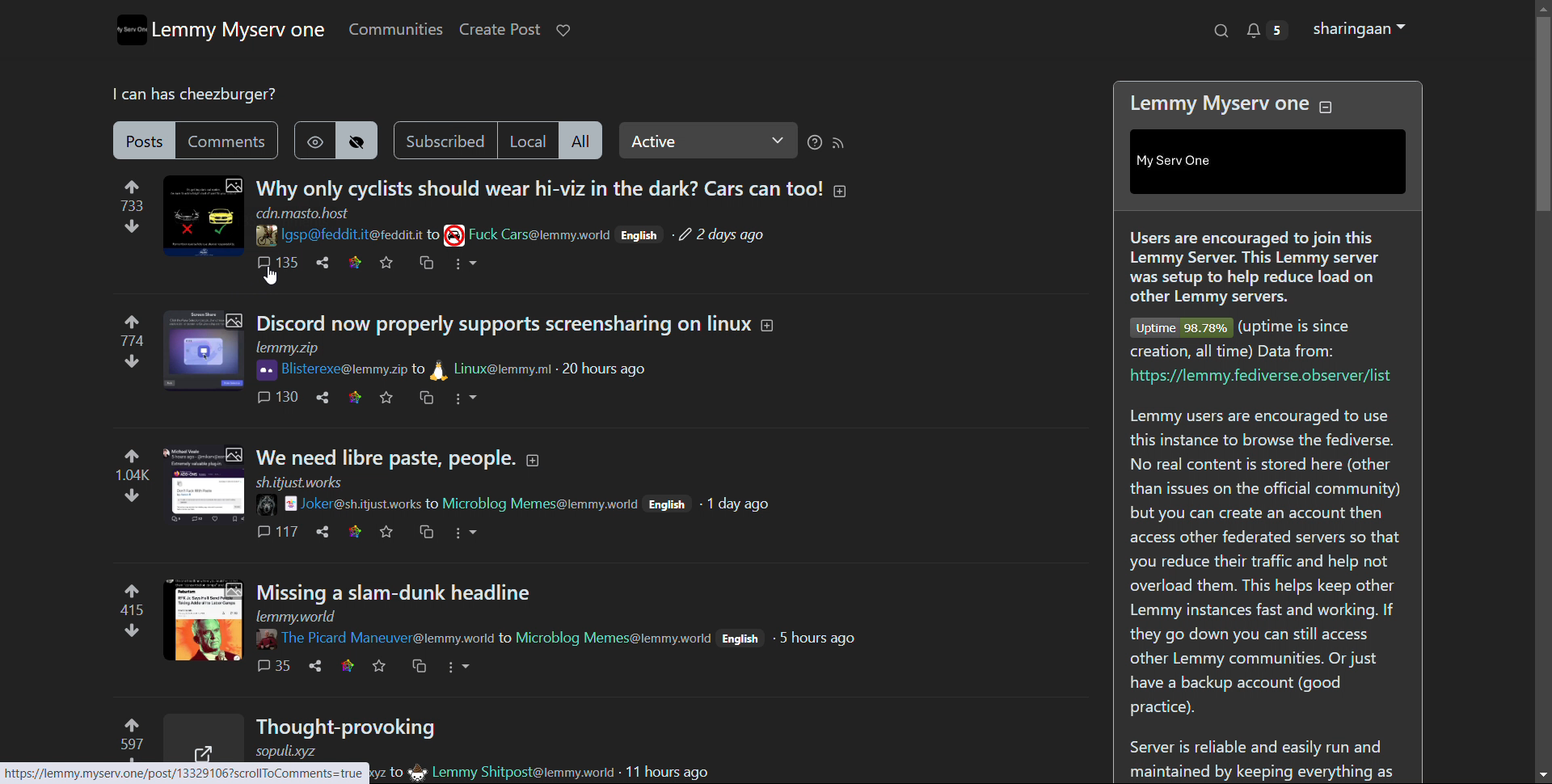  I want to click on crosspost, so click(418, 667).